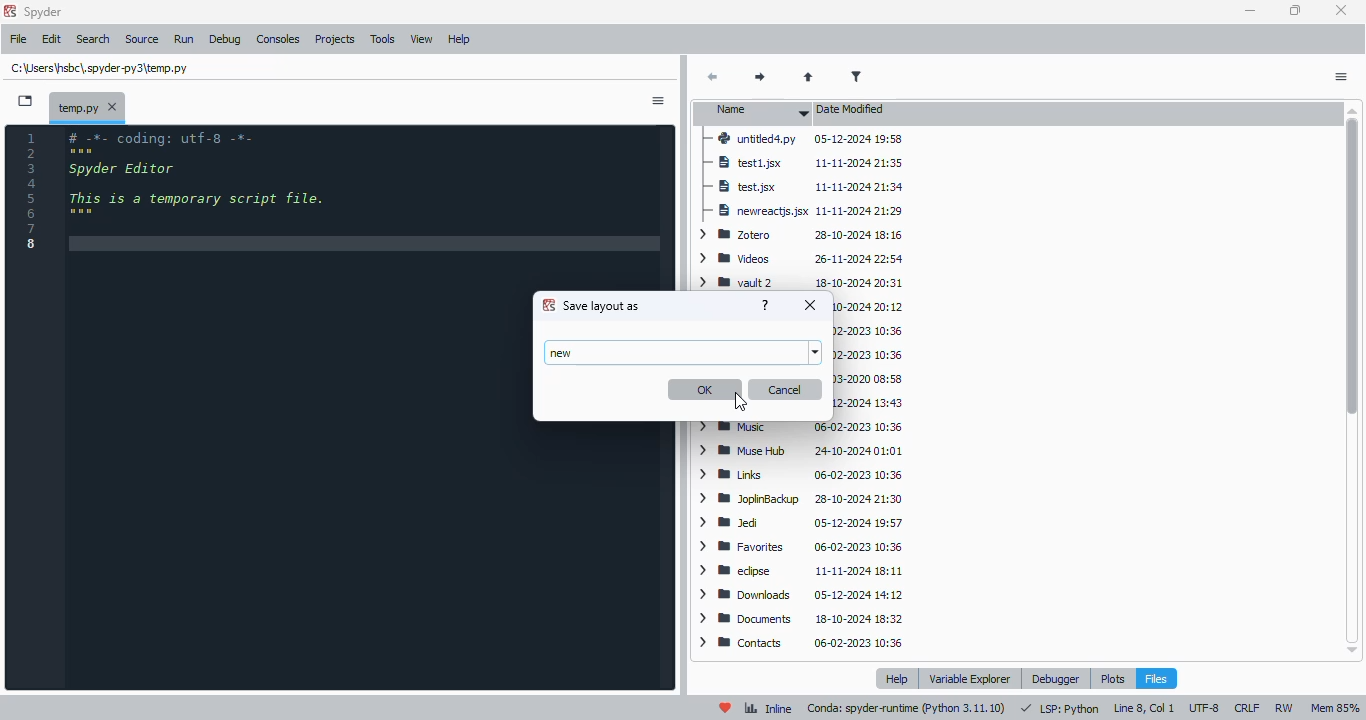  Describe the element at coordinates (1249, 11) in the screenshot. I see `minimize` at that location.